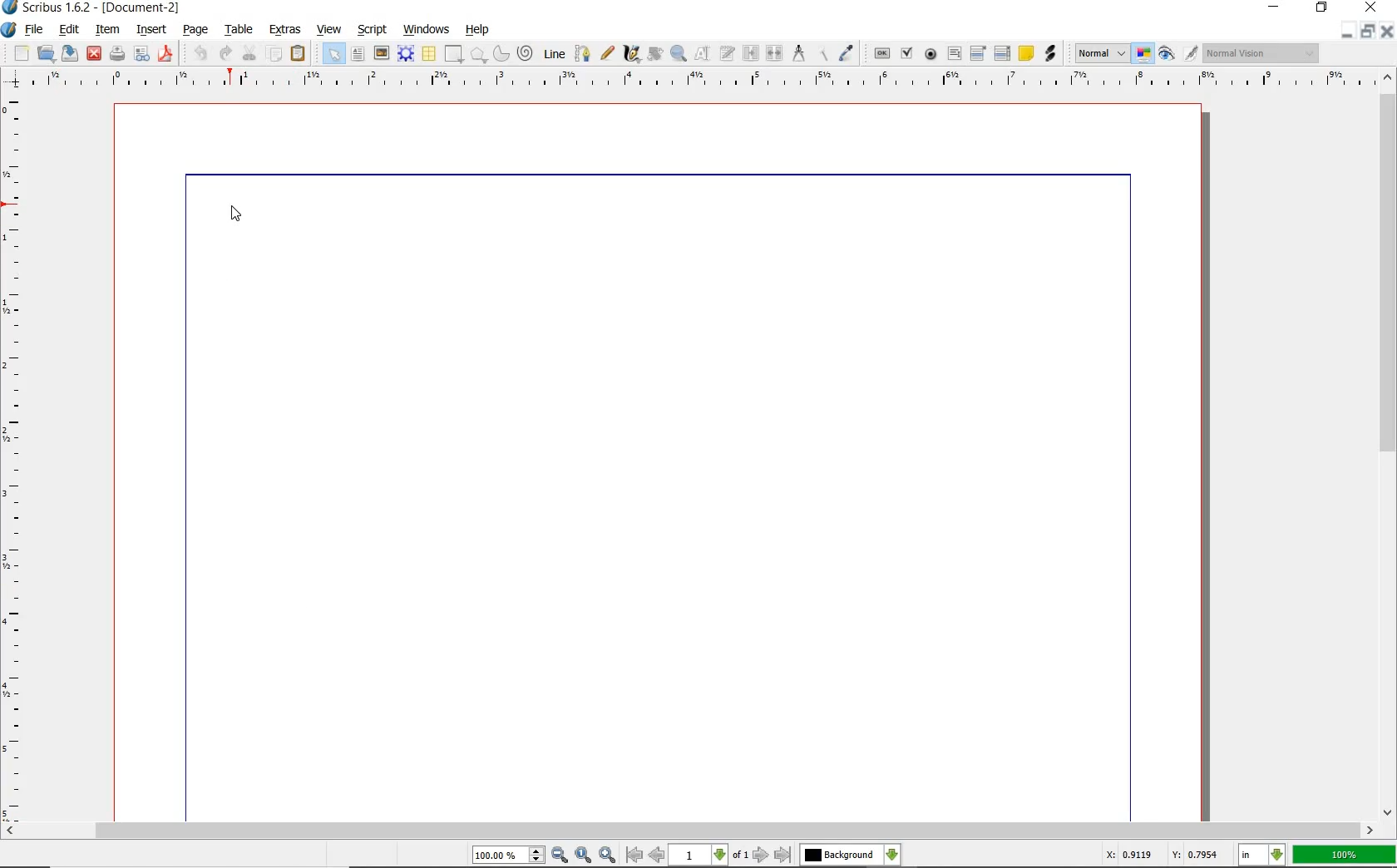 The image size is (1397, 868). Describe the element at coordinates (654, 55) in the screenshot. I see `rotate item` at that location.